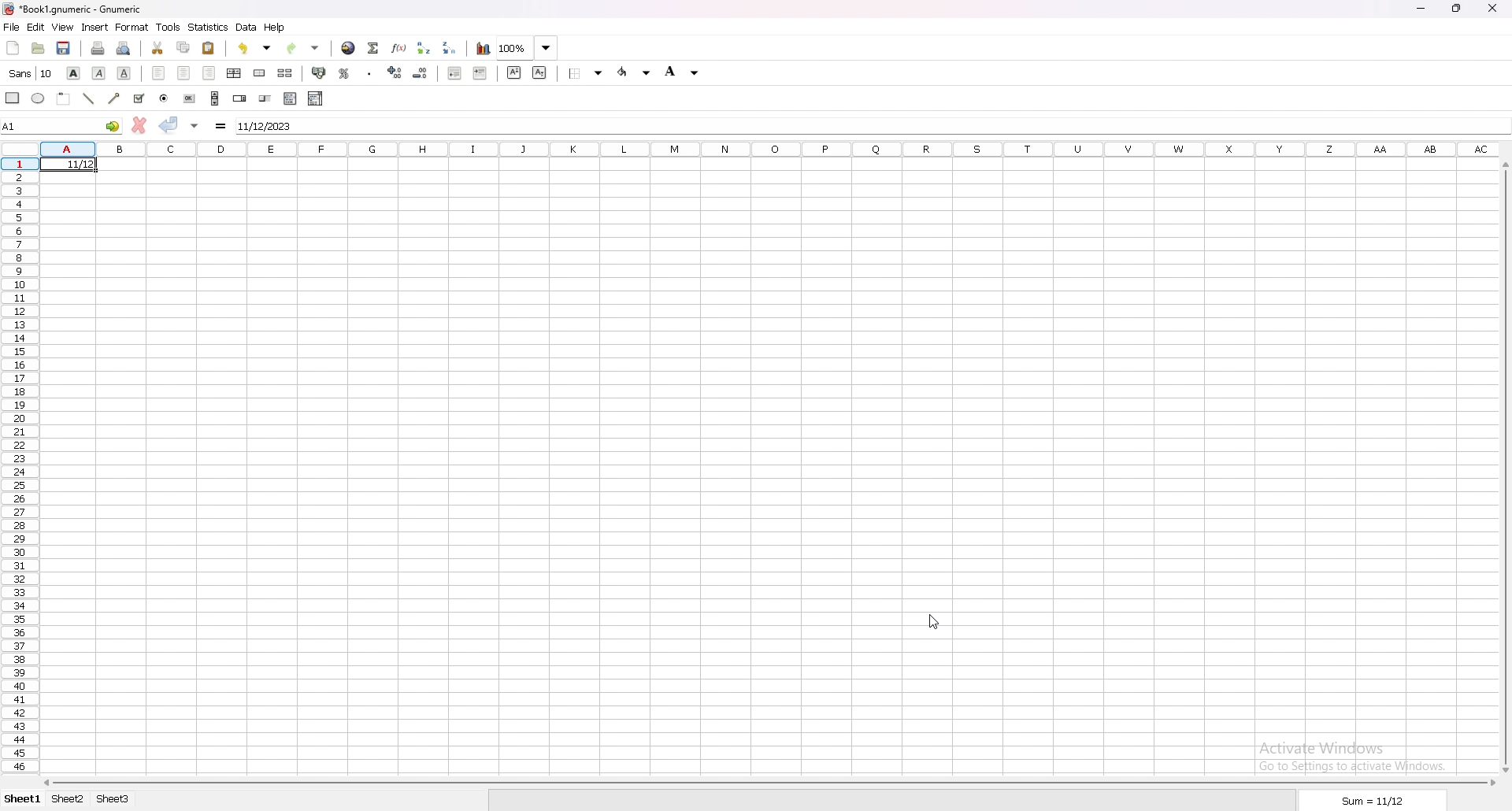  I want to click on background, so click(681, 72).